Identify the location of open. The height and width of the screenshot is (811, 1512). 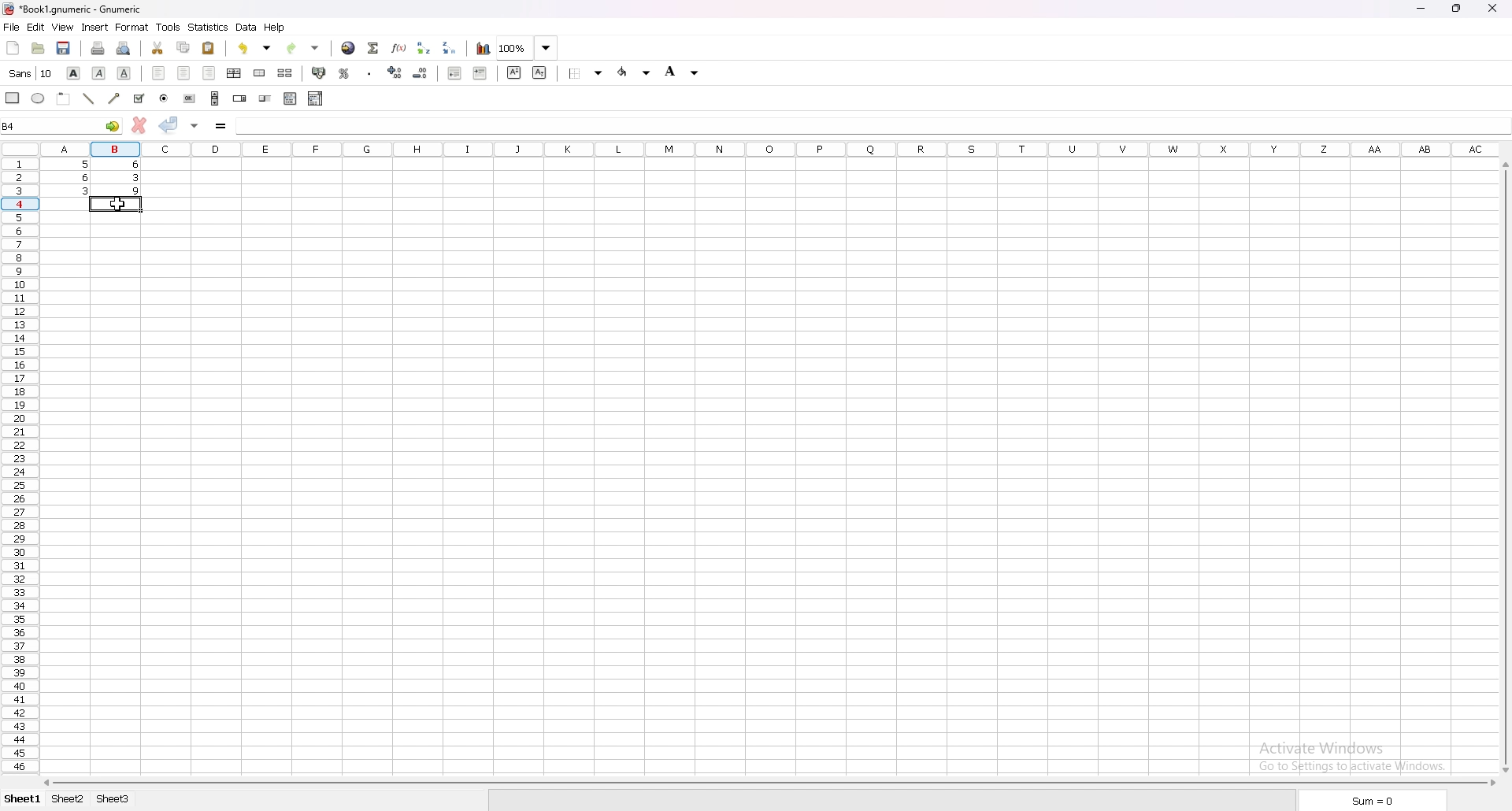
(38, 49).